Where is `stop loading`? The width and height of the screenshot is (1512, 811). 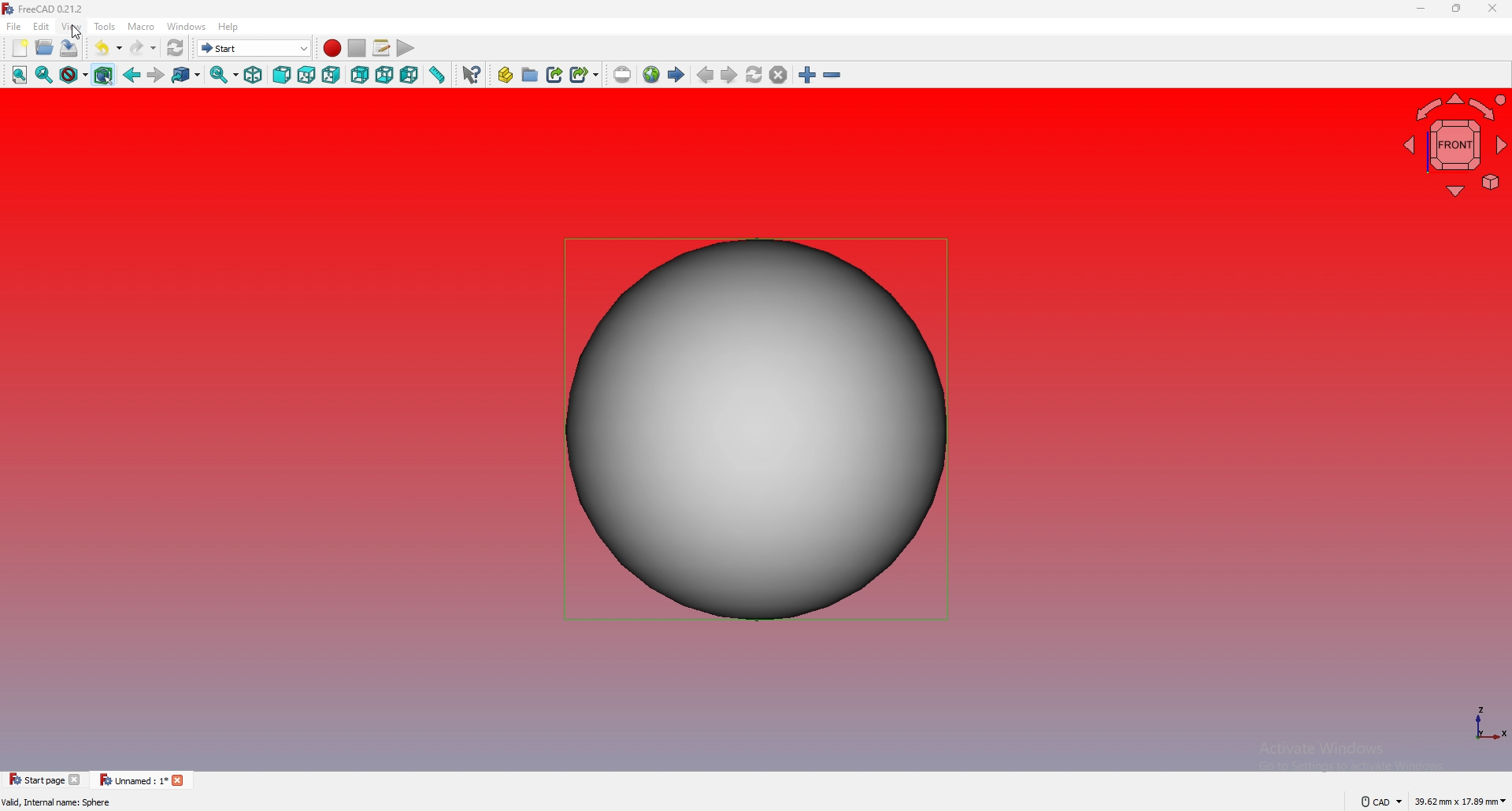
stop loading is located at coordinates (778, 74).